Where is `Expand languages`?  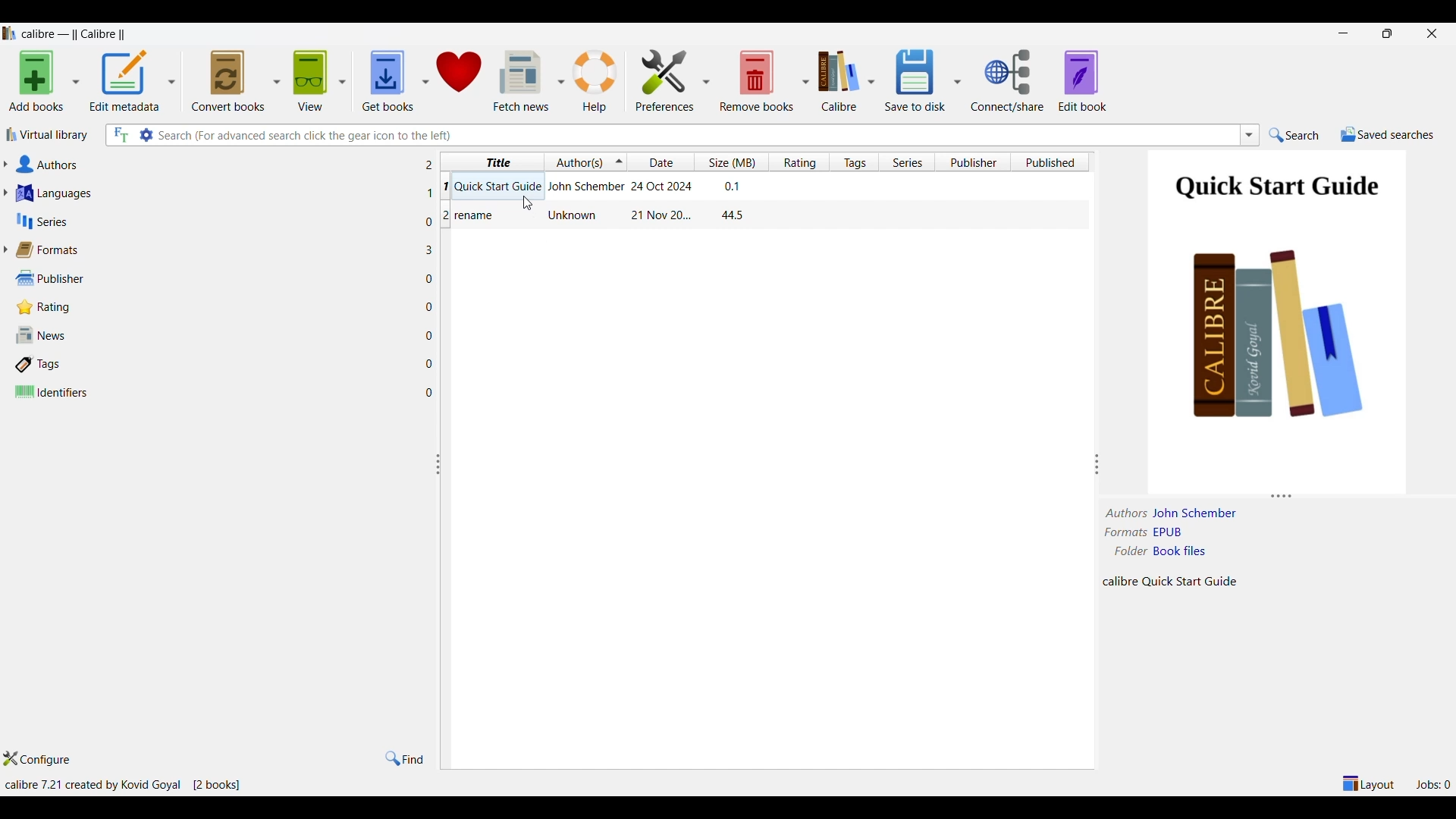 Expand languages is located at coordinates (5, 193).